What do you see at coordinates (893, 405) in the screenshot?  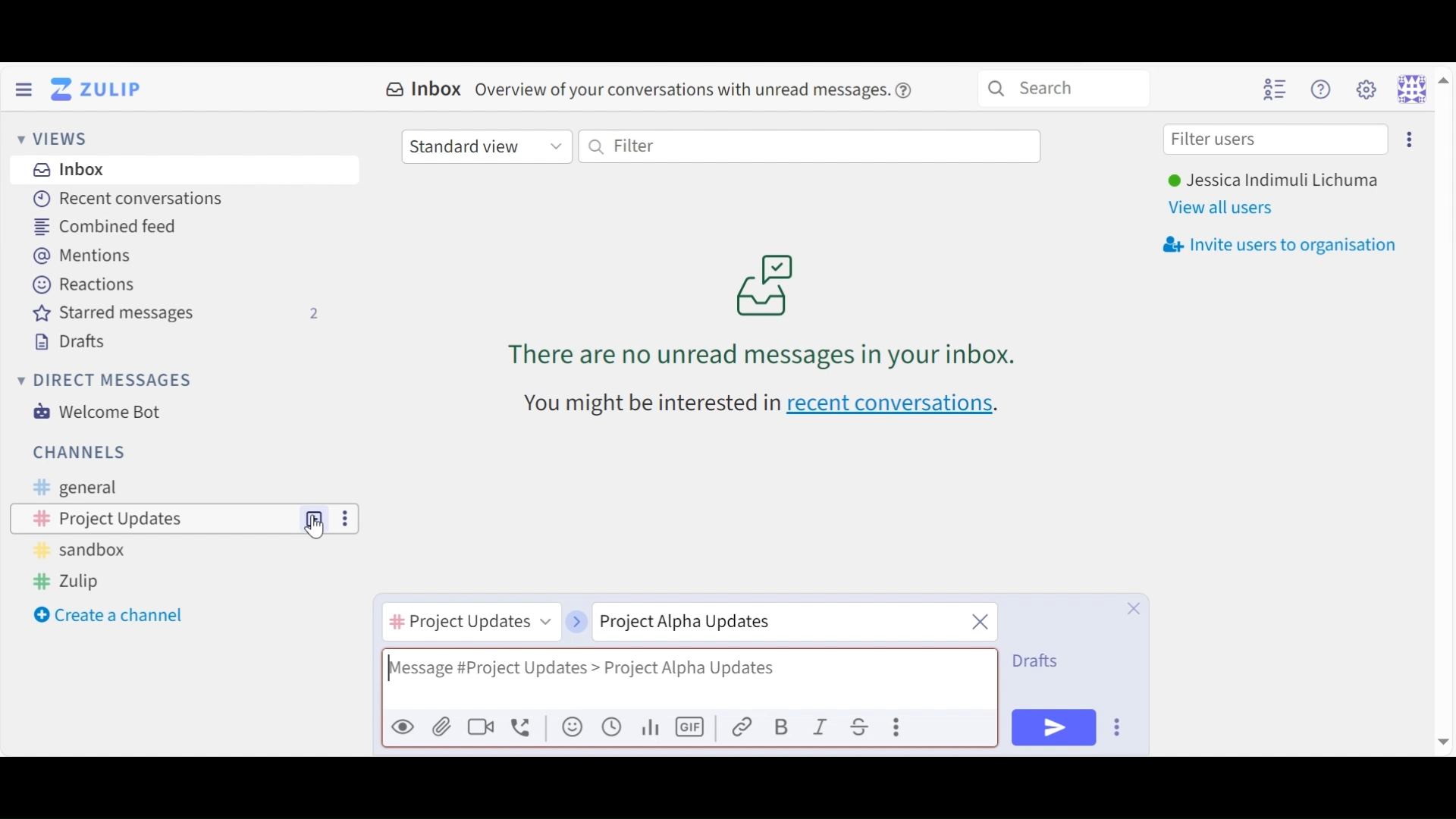 I see `recent conversations` at bounding box center [893, 405].